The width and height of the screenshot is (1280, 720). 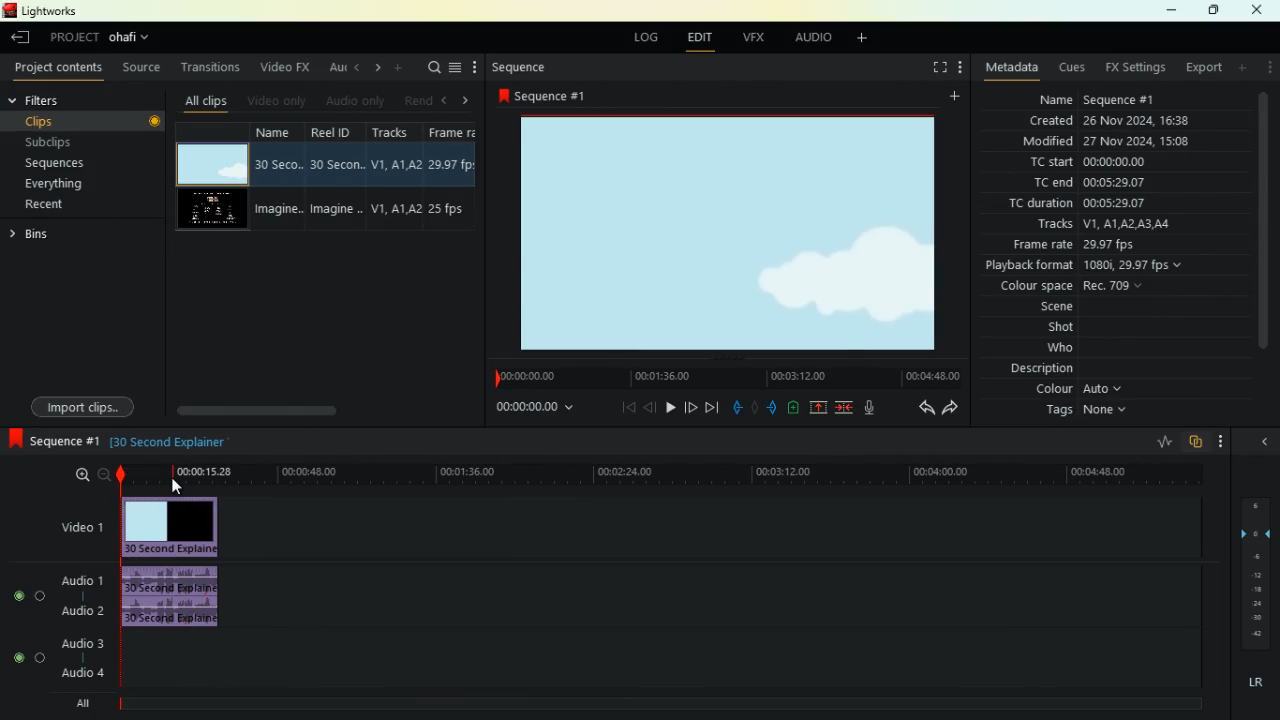 What do you see at coordinates (1226, 440) in the screenshot?
I see `menu` at bounding box center [1226, 440].